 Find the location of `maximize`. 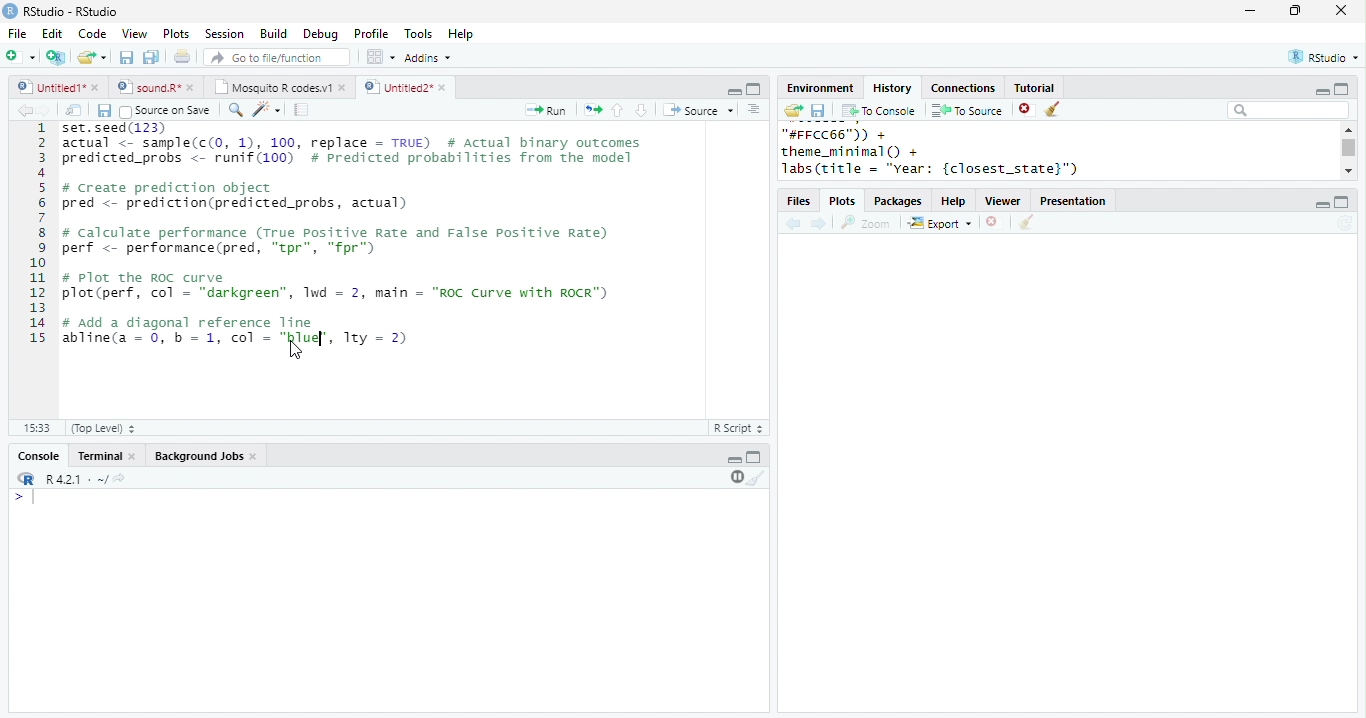

maximize is located at coordinates (1340, 88).